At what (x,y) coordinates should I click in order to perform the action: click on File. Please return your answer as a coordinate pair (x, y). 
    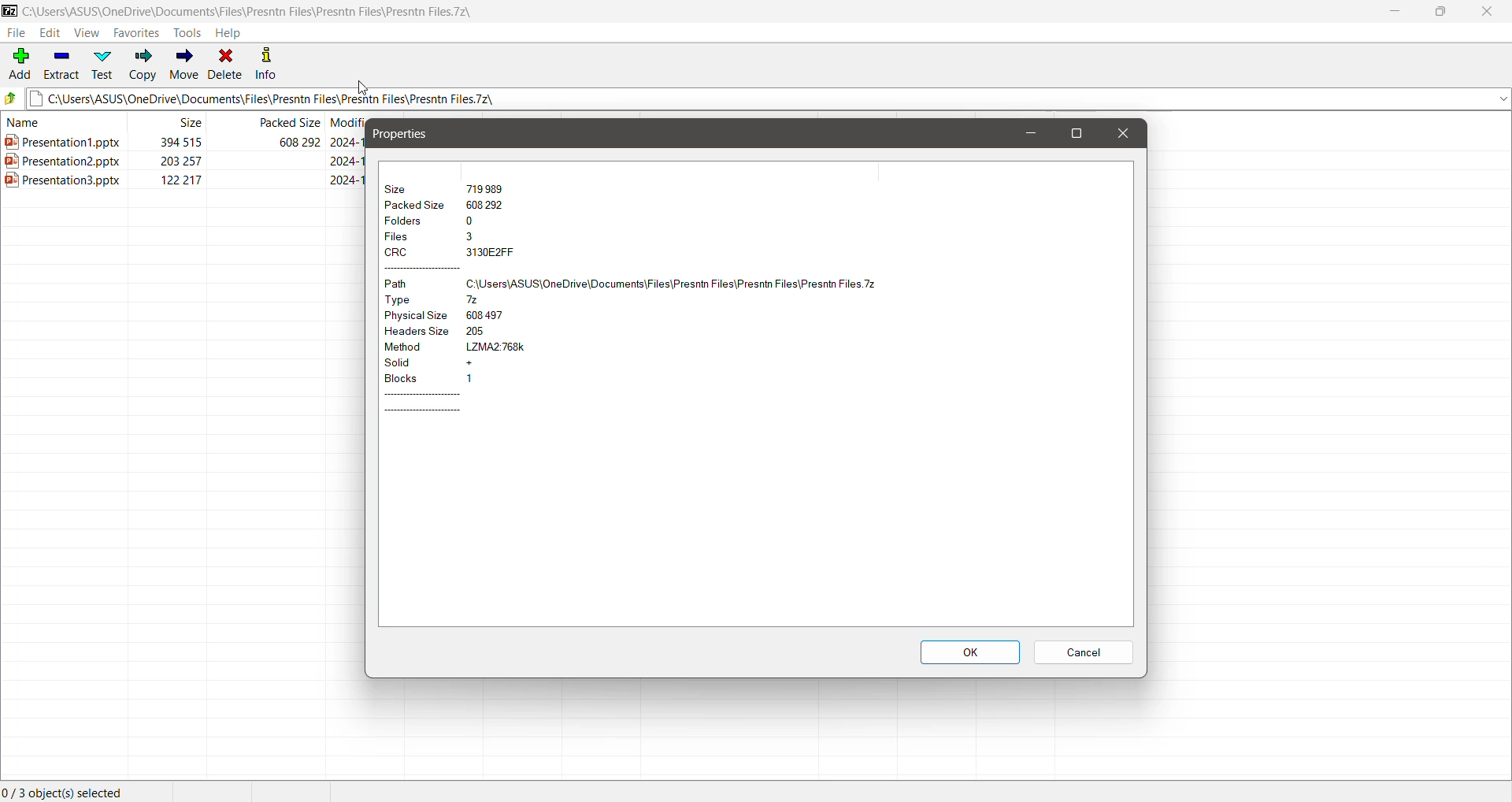
    Looking at the image, I should click on (17, 34).